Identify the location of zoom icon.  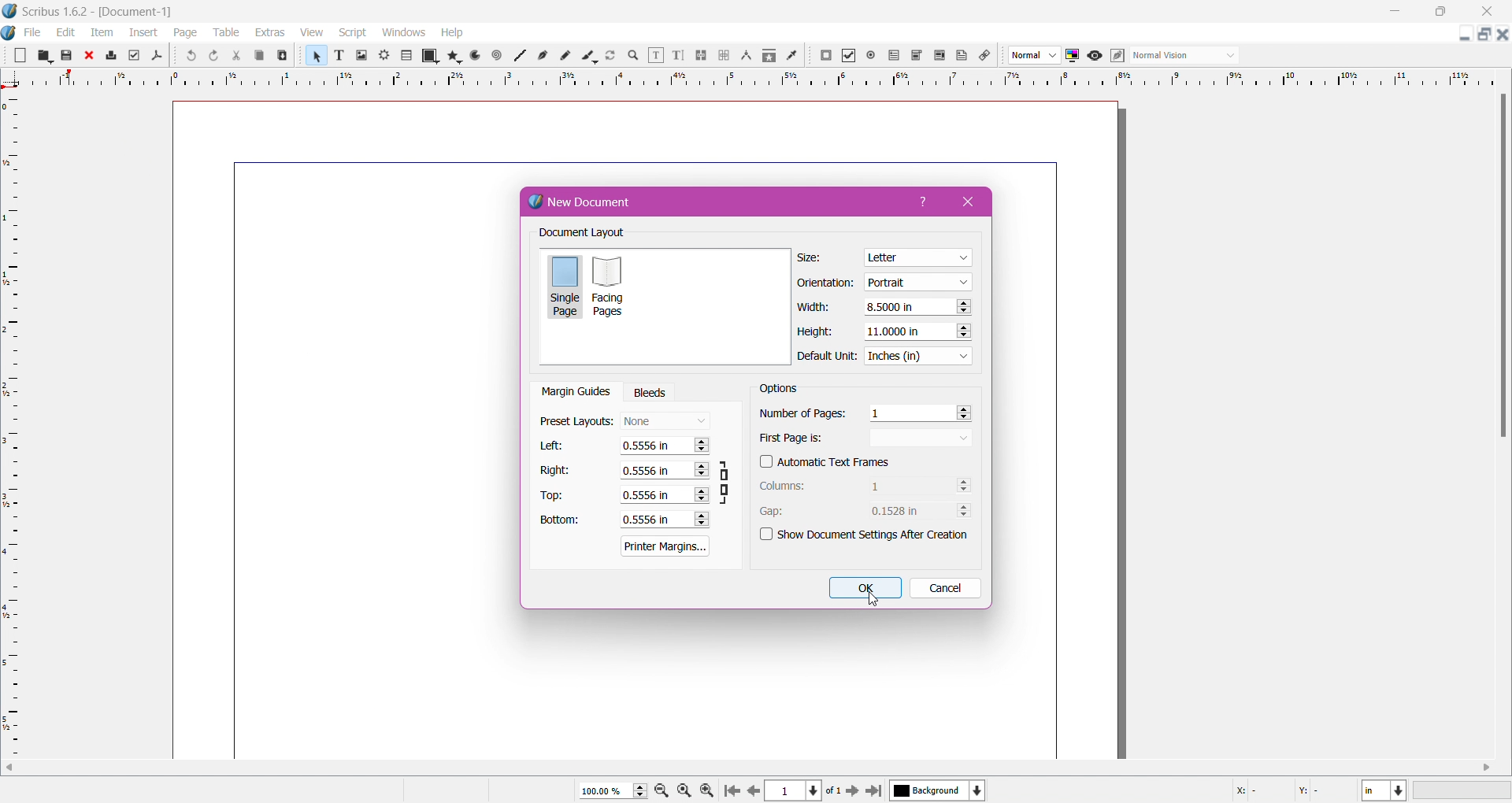
(711, 790).